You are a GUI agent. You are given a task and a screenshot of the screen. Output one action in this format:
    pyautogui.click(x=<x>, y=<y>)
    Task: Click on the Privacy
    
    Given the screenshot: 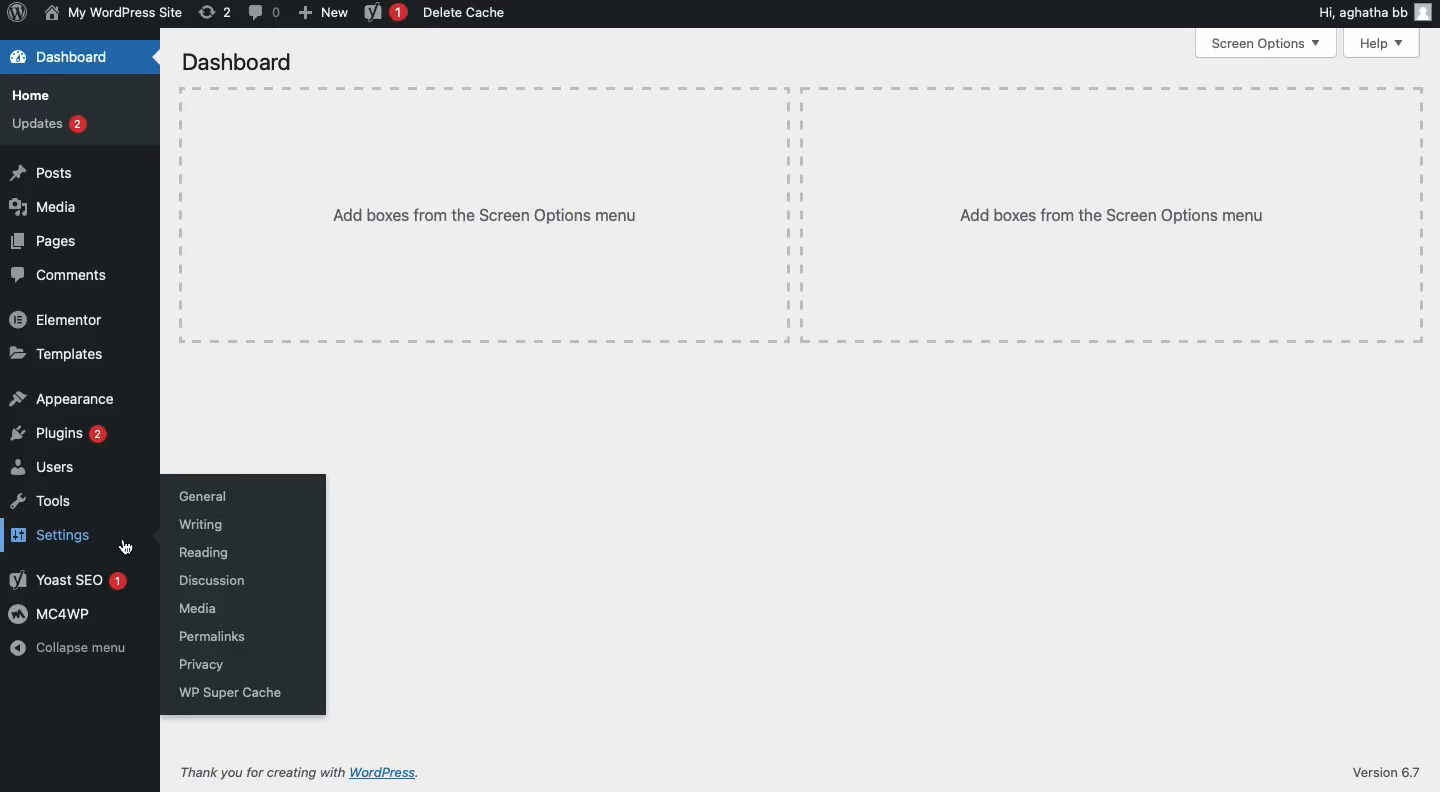 What is the action you would take?
    pyautogui.click(x=202, y=665)
    